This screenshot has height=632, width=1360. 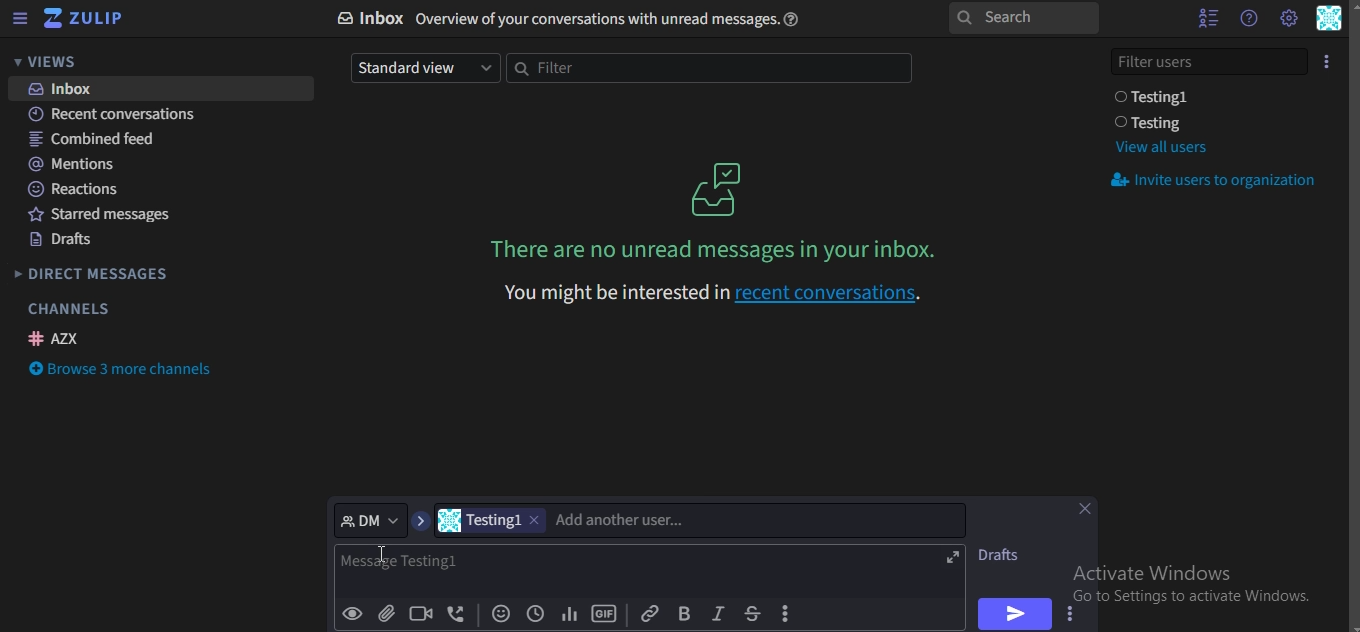 I want to click on main menu, so click(x=1288, y=18).